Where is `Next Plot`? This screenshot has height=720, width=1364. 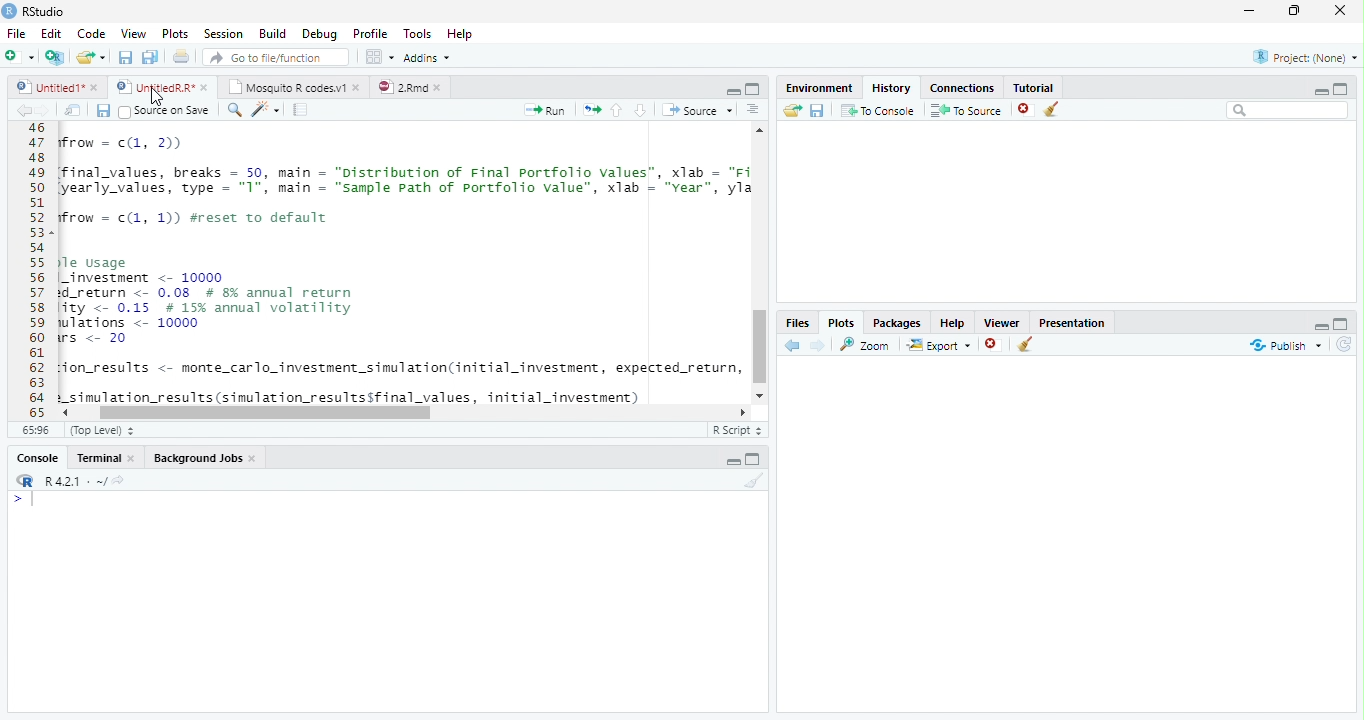 Next Plot is located at coordinates (818, 345).